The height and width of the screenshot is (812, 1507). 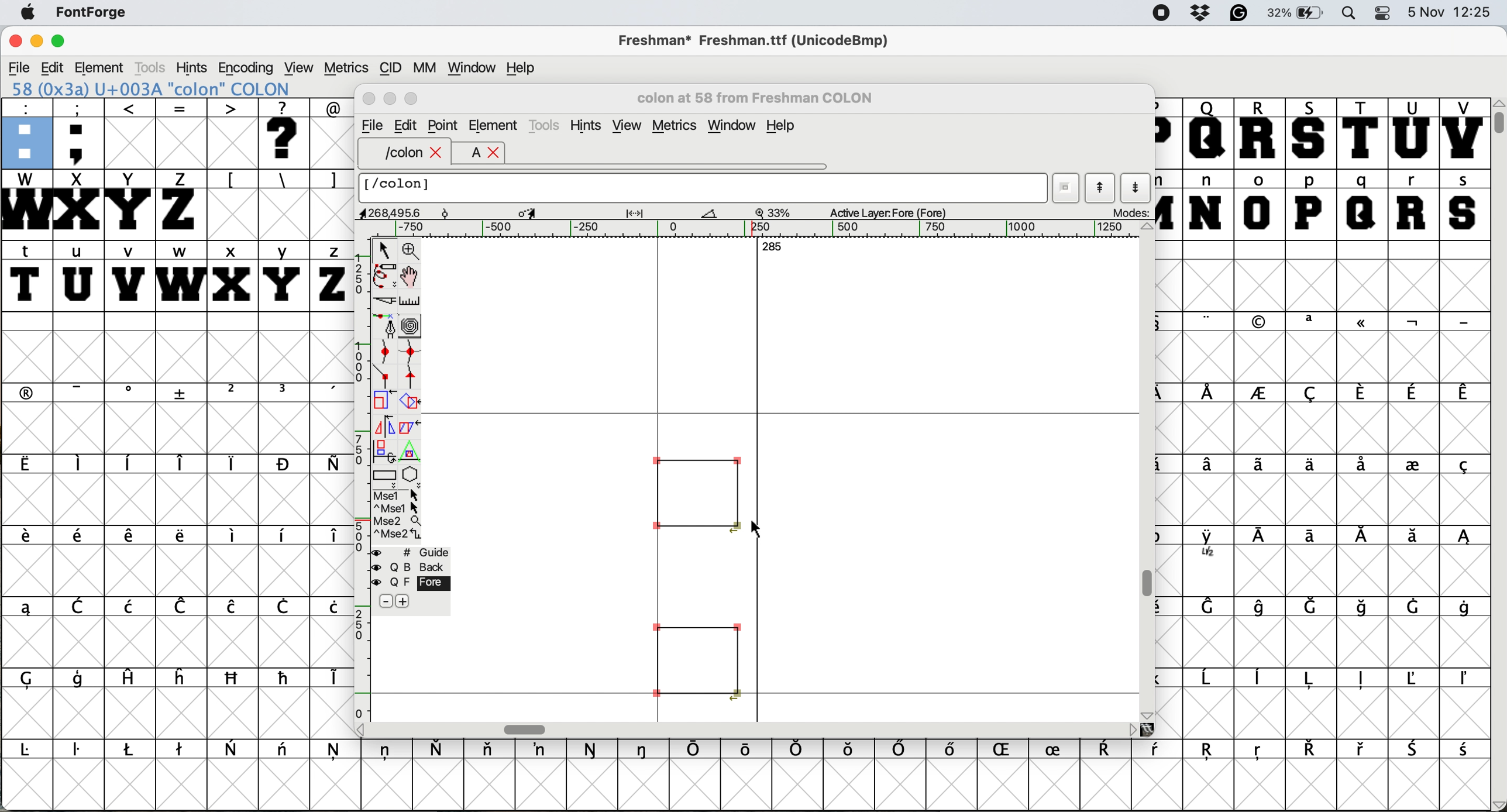 What do you see at coordinates (438, 153) in the screenshot?
I see `close` at bounding box center [438, 153].